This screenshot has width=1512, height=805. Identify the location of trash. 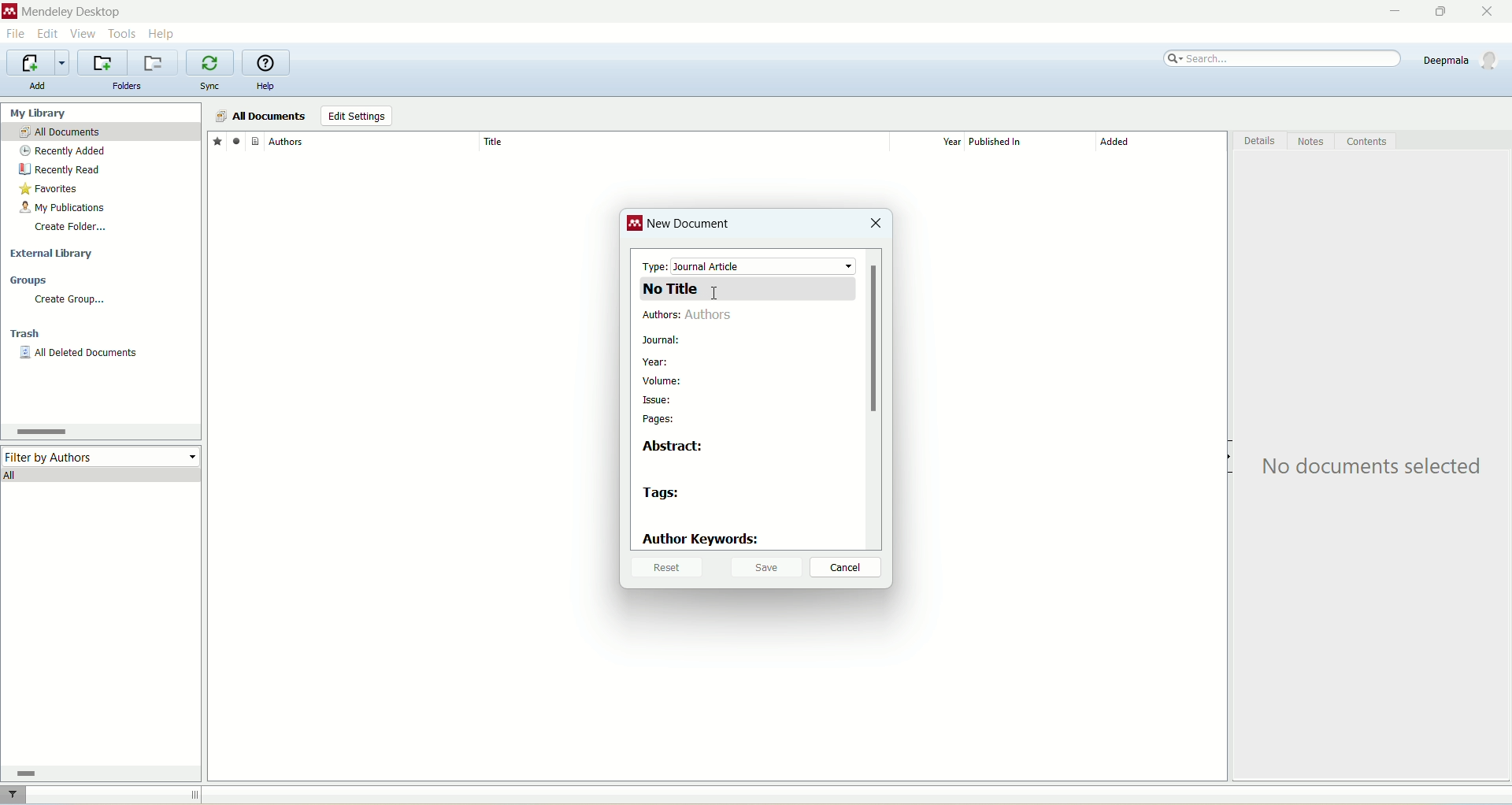
(28, 336).